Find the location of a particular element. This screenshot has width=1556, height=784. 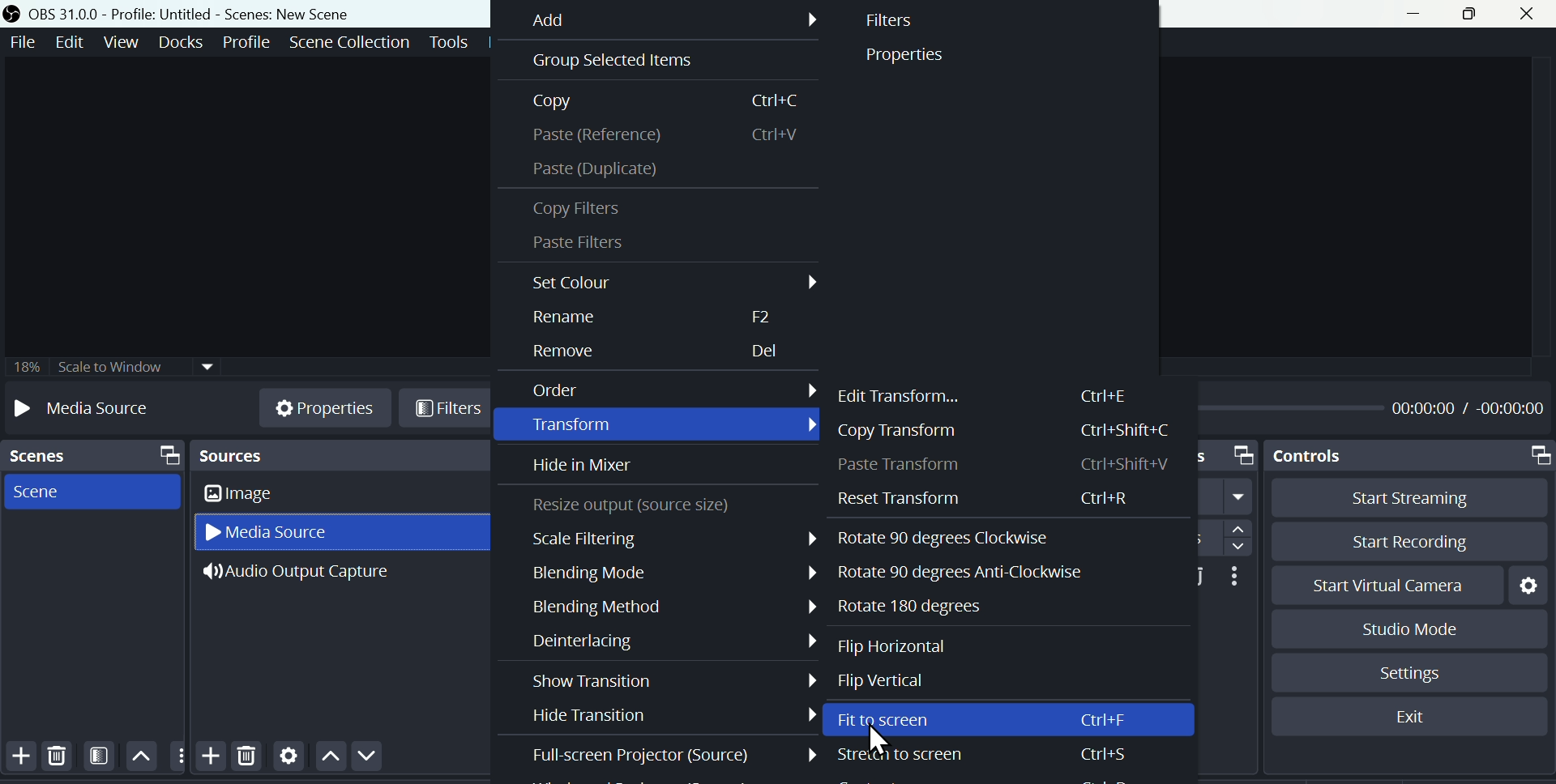

Order is located at coordinates (667, 390).